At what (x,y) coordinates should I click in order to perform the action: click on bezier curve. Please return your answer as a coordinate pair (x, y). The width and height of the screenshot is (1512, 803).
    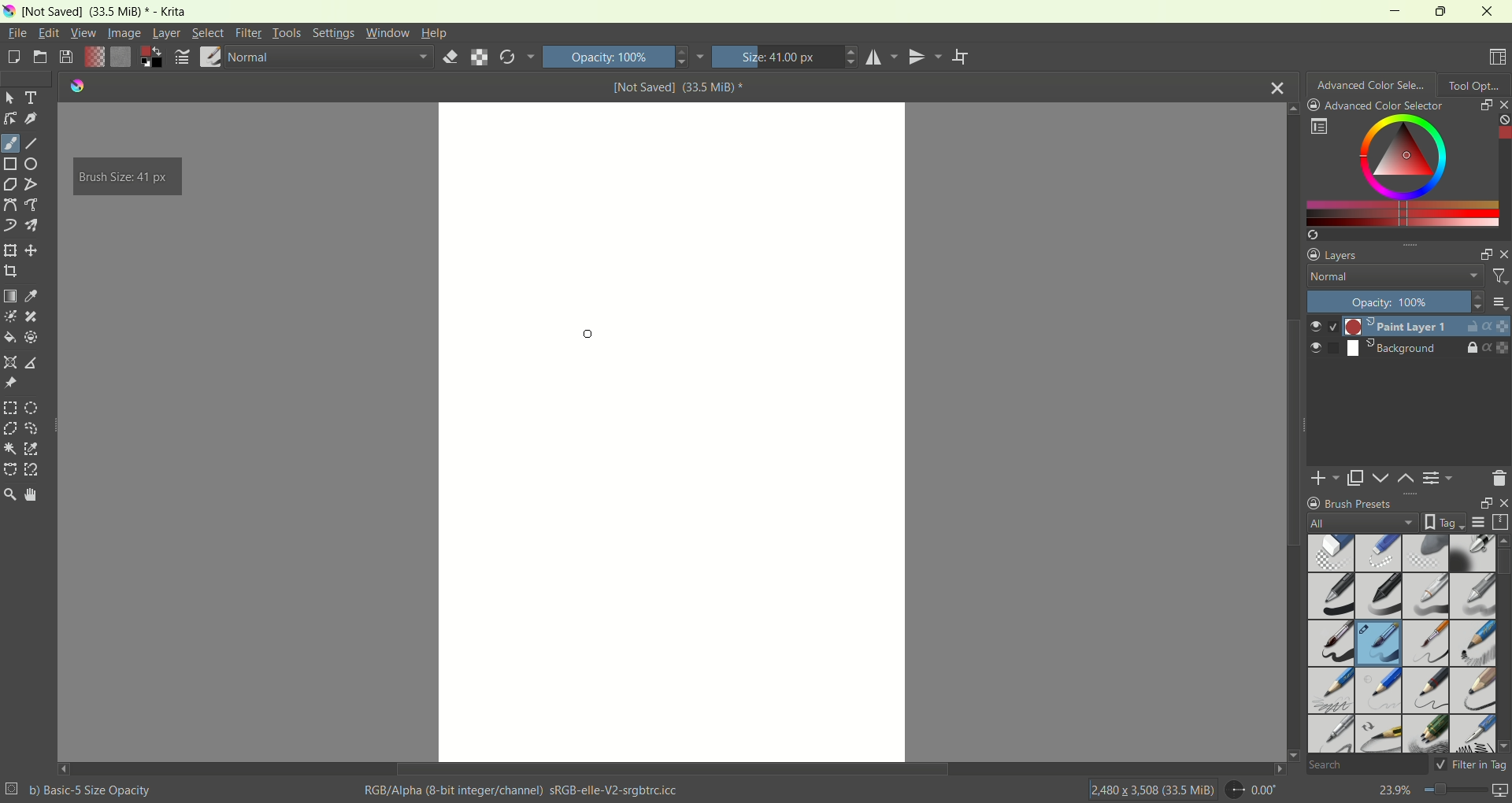
    Looking at the image, I should click on (12, 205).